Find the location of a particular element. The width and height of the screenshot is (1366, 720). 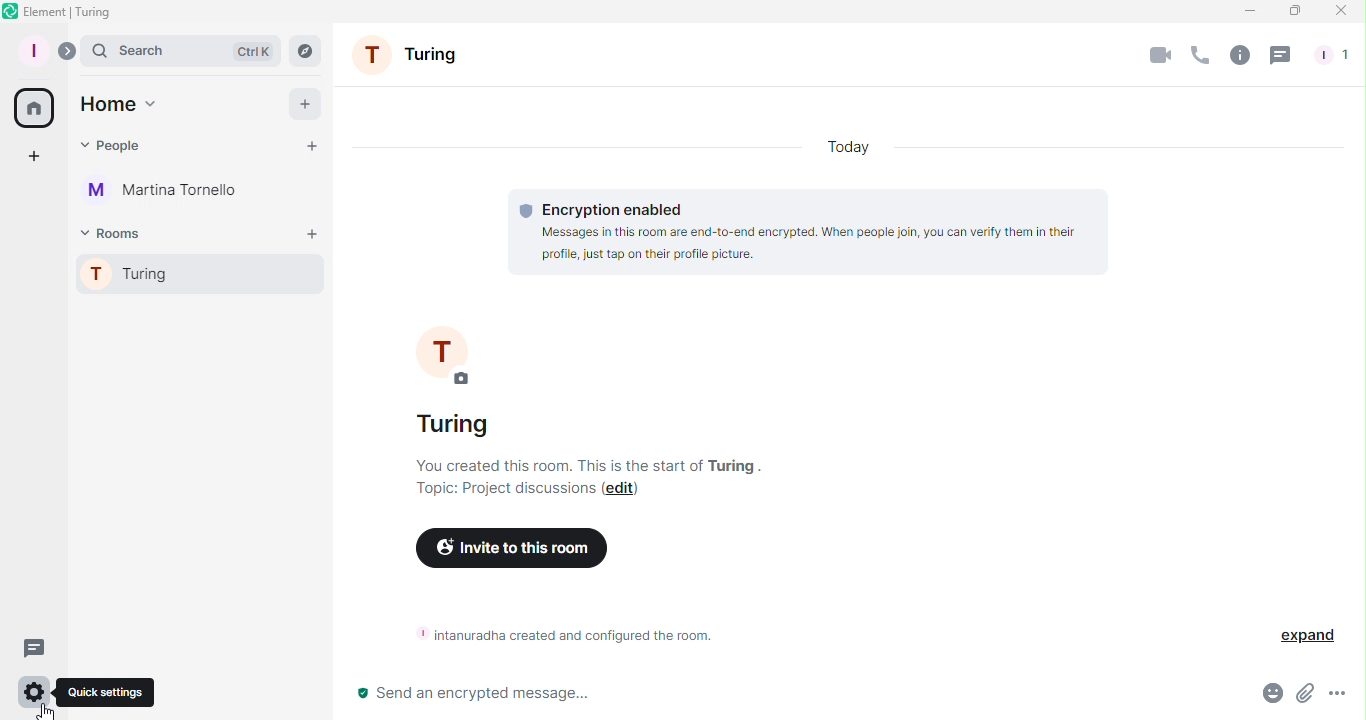

Profile is located at coordinates (34, 52).